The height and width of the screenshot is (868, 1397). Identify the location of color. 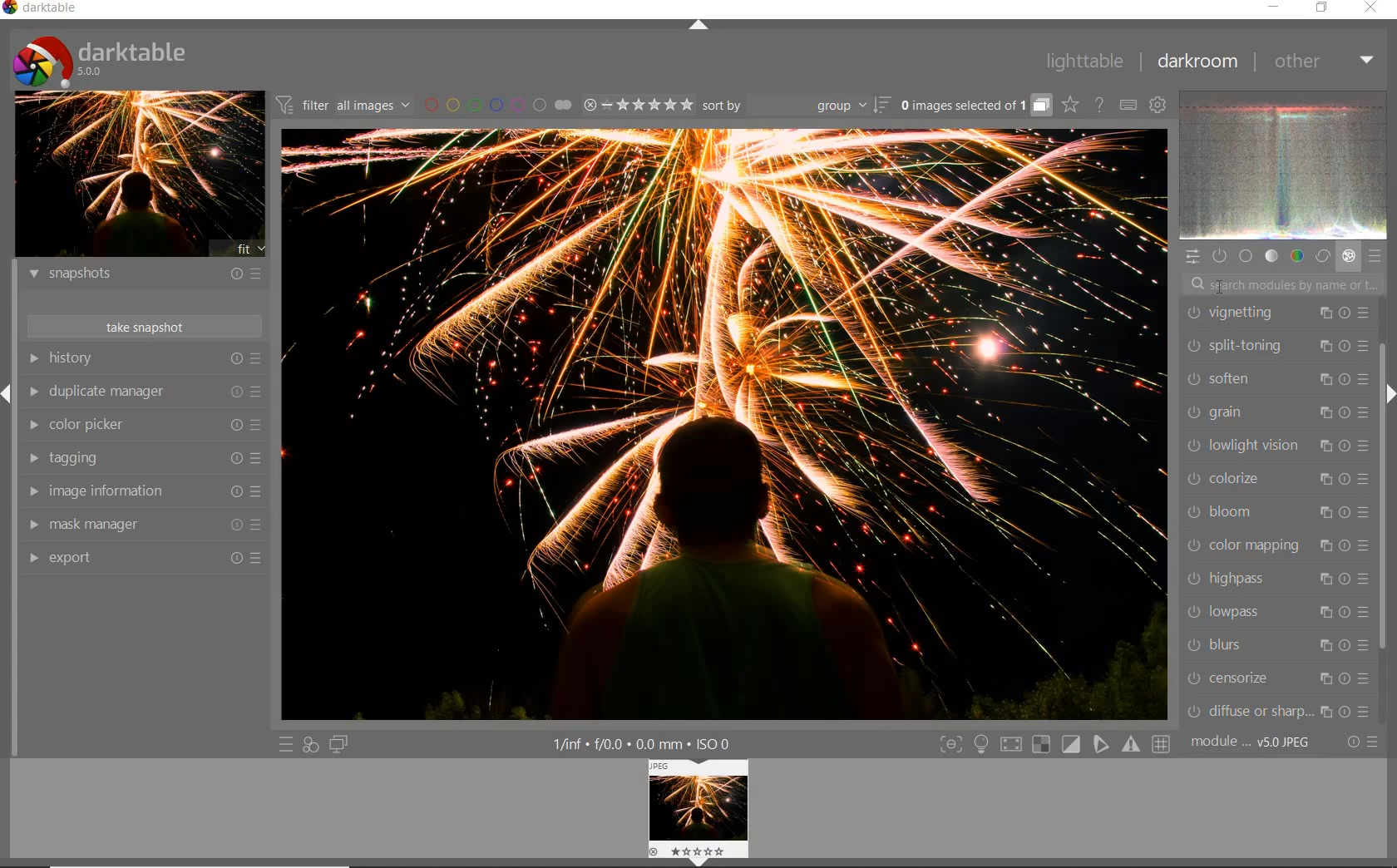
(1298, 256).